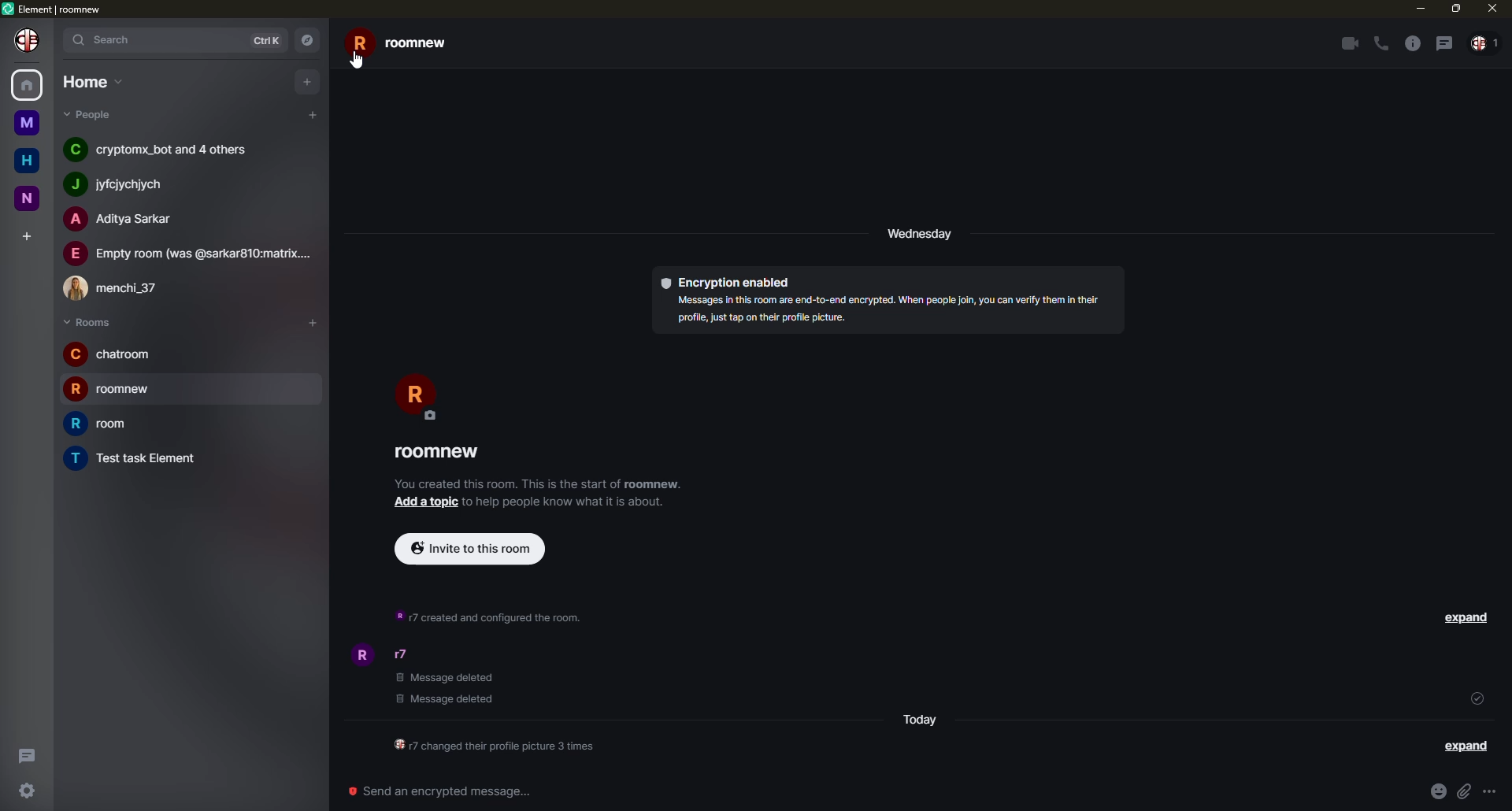 This screenshot has width=1512, height=811. I want to click on ctrlK, so click(270, 39).